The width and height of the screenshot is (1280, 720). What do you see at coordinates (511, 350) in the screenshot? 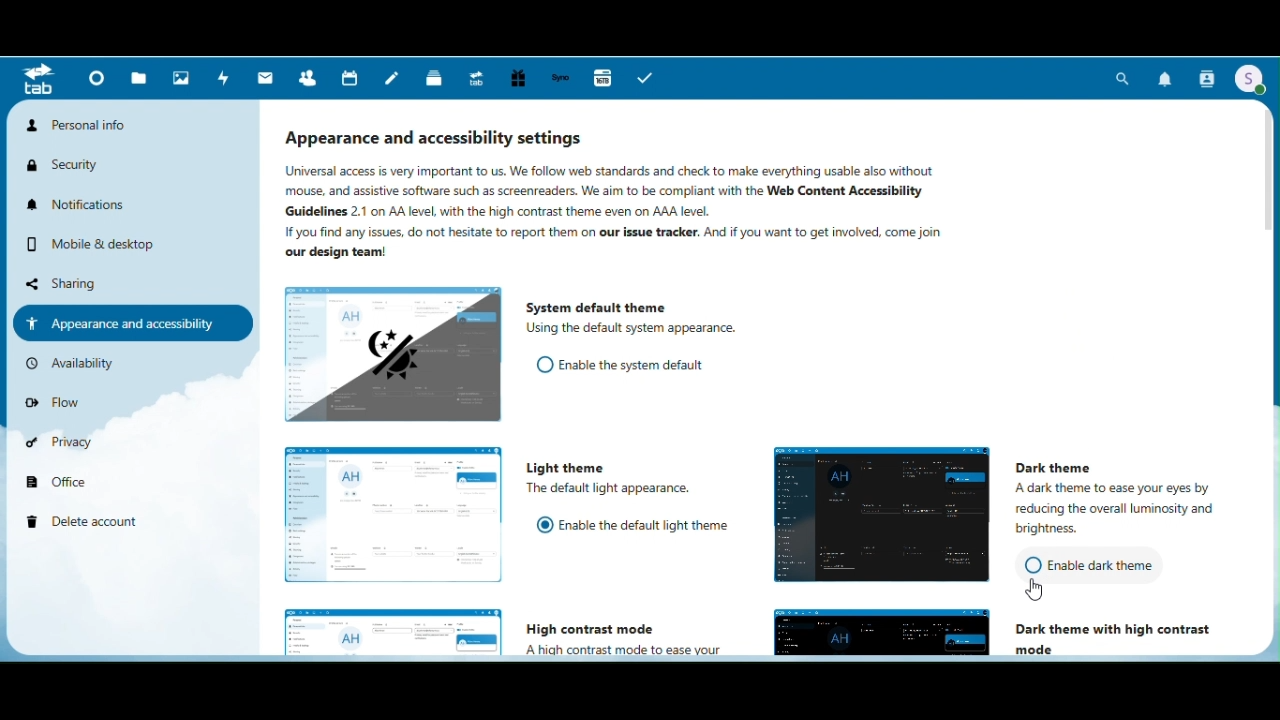
I see `System default theme` at bounding box center [511, 350].